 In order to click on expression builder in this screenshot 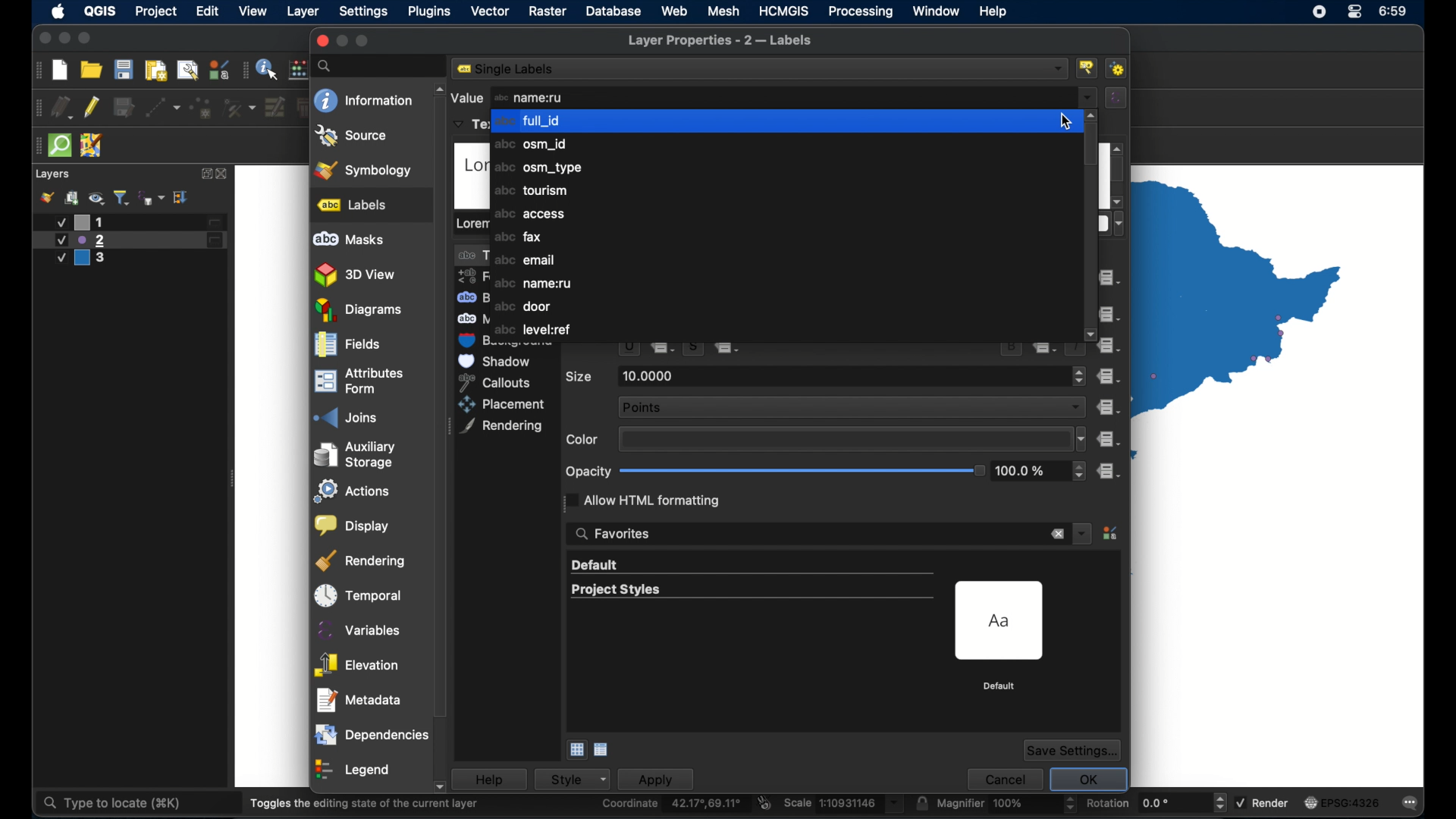, I will do `click(1117, 97)`.